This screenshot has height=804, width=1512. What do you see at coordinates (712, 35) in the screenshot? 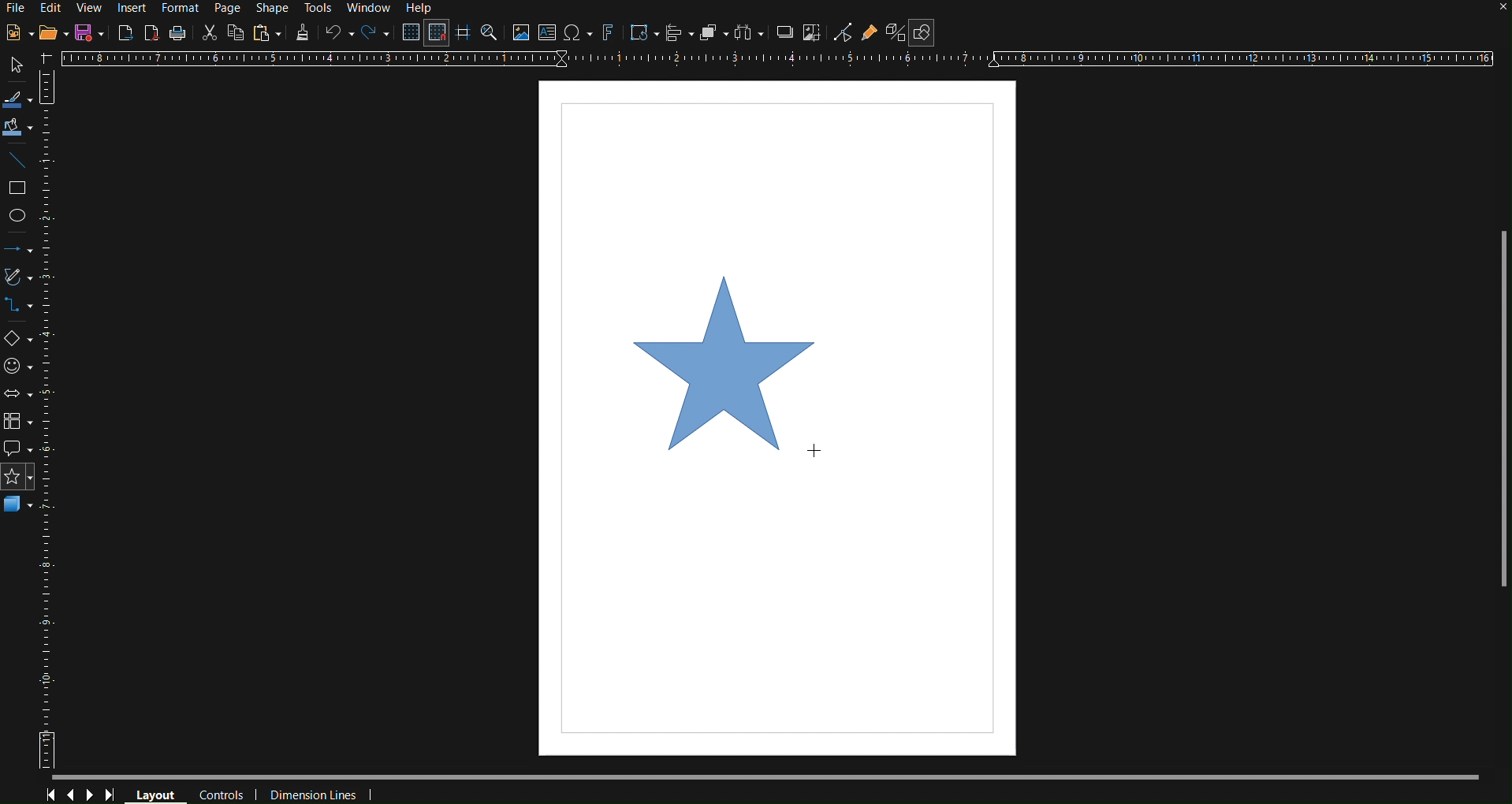
I see `Arrange` at bounding box center [712, 35].